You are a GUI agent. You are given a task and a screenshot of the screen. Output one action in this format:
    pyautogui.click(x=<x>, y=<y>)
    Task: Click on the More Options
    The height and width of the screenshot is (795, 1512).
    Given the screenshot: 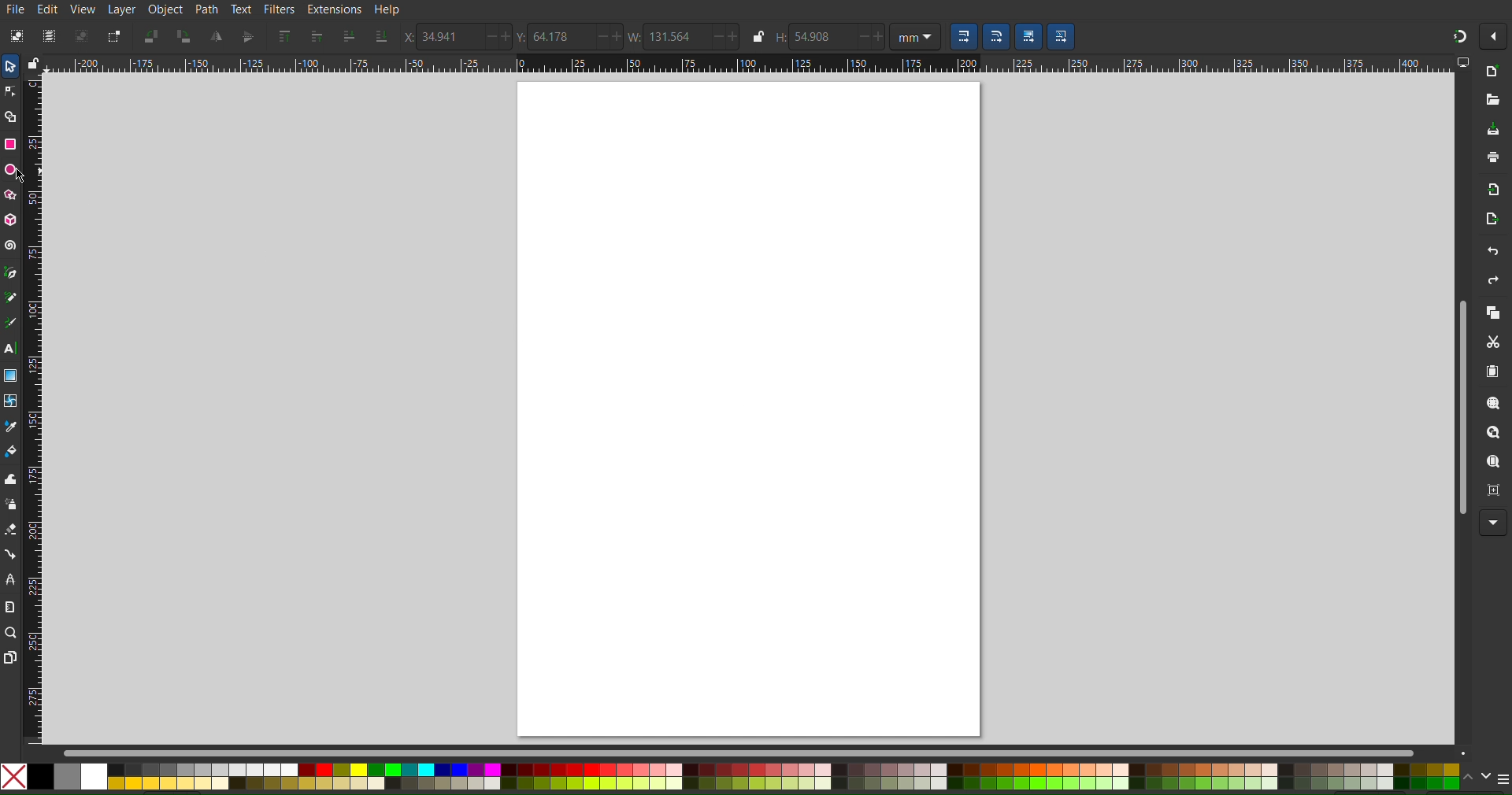 What is the action you would take?
    pyautogui.click(x=1493, y=523)
    